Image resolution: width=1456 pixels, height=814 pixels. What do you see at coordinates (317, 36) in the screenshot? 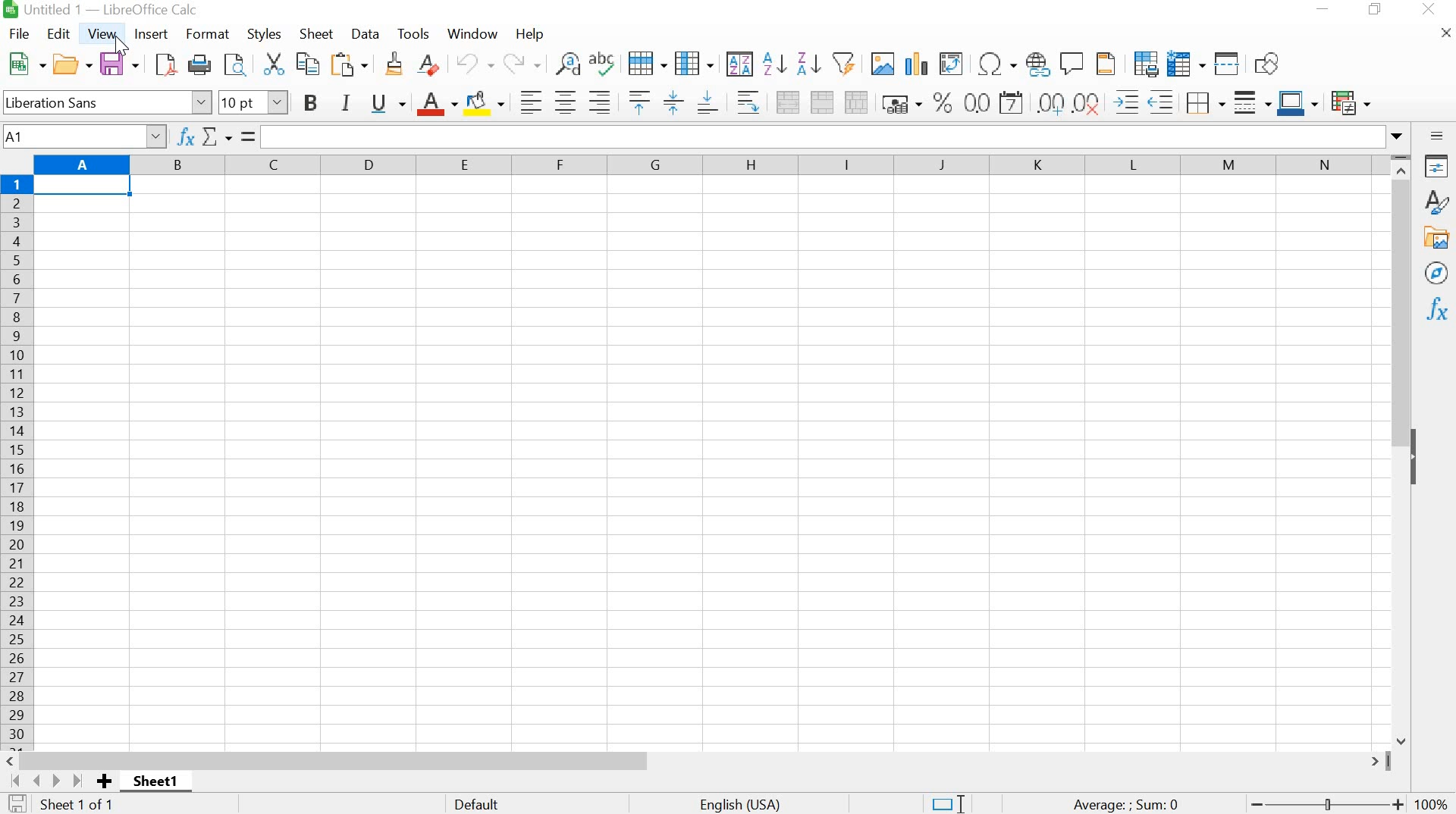
I see `SHEET` at bounding box center [317, 36].